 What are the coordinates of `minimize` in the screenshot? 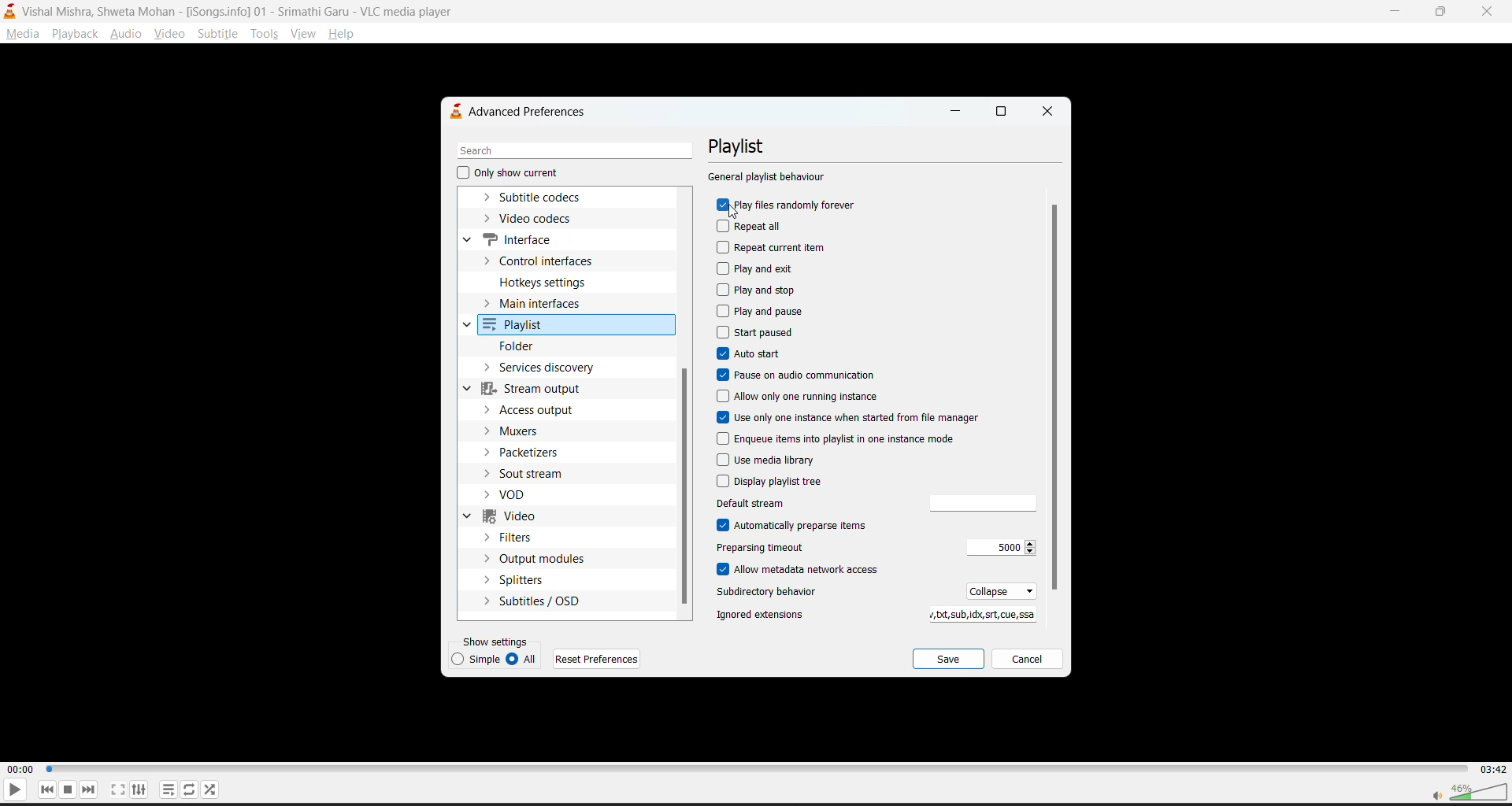 It's located at (1396, 12).